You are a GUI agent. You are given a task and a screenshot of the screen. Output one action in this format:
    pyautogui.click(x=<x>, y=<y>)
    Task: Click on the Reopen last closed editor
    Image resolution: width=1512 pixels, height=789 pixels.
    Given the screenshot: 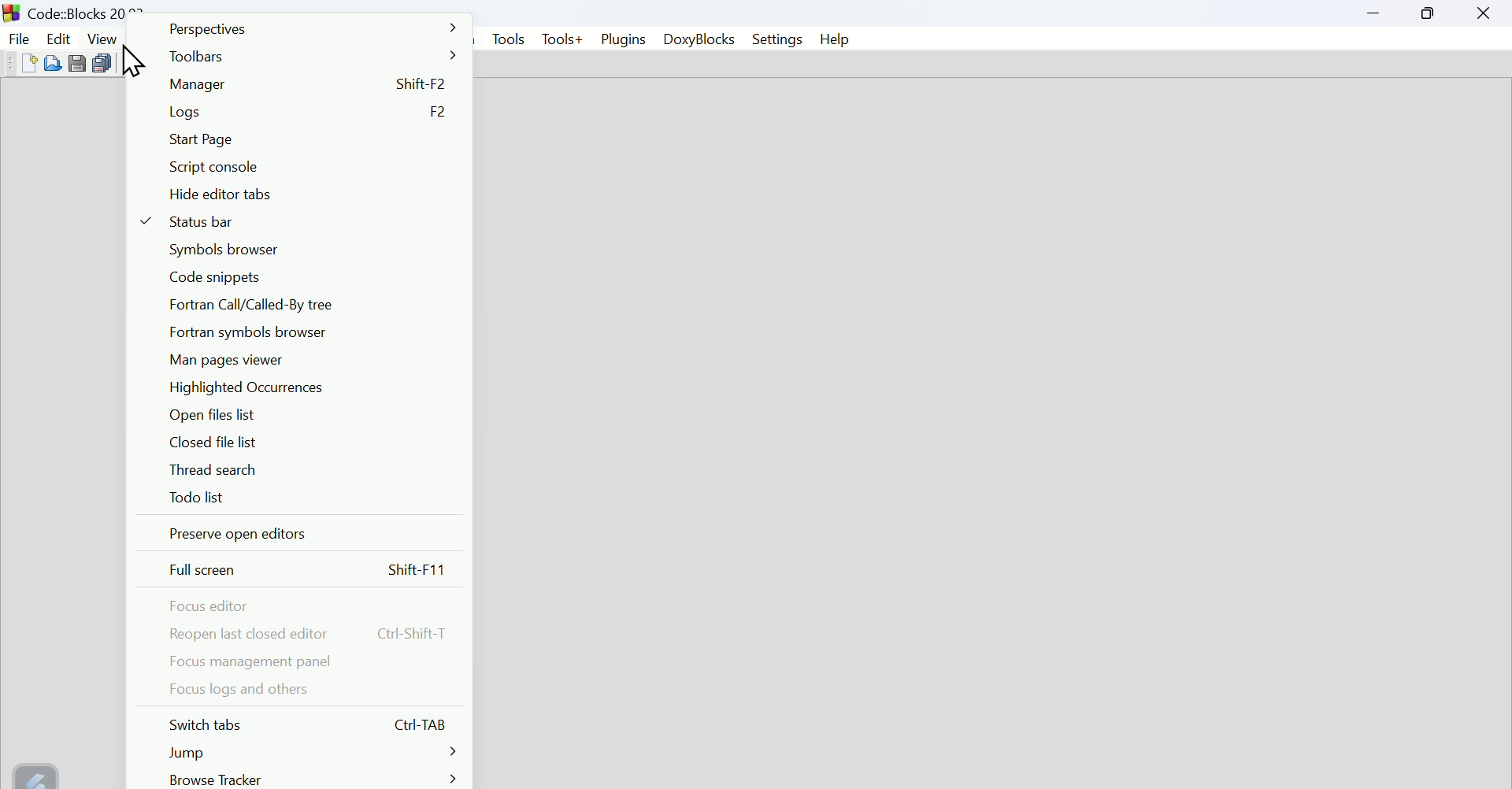 What is the action you would take?
    pyautogui.click(x=308, y=632)
    